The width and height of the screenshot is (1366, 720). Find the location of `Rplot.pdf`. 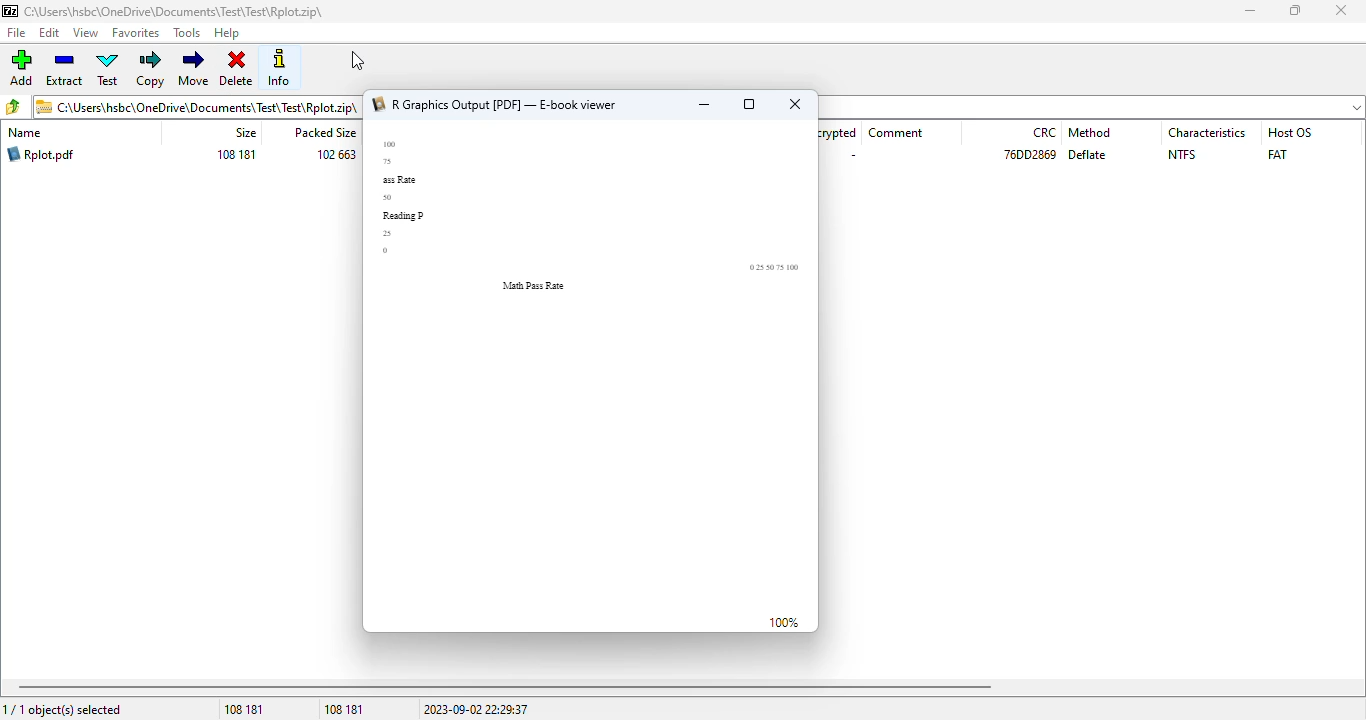

Rplot.pdf is located at coordinates (41, 154).